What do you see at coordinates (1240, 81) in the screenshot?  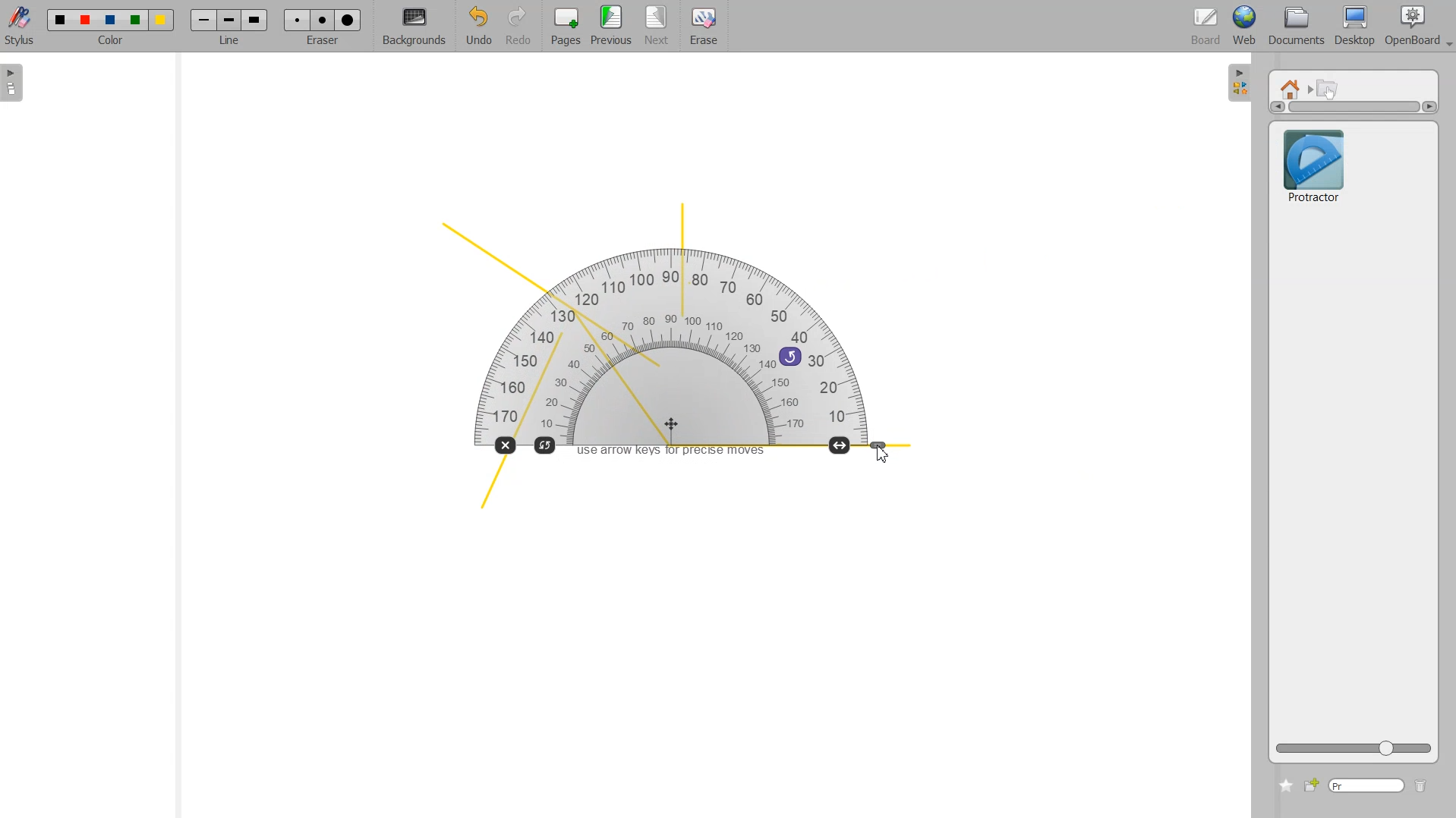 I see `Sidebar` at bounding box center [1240, 81].